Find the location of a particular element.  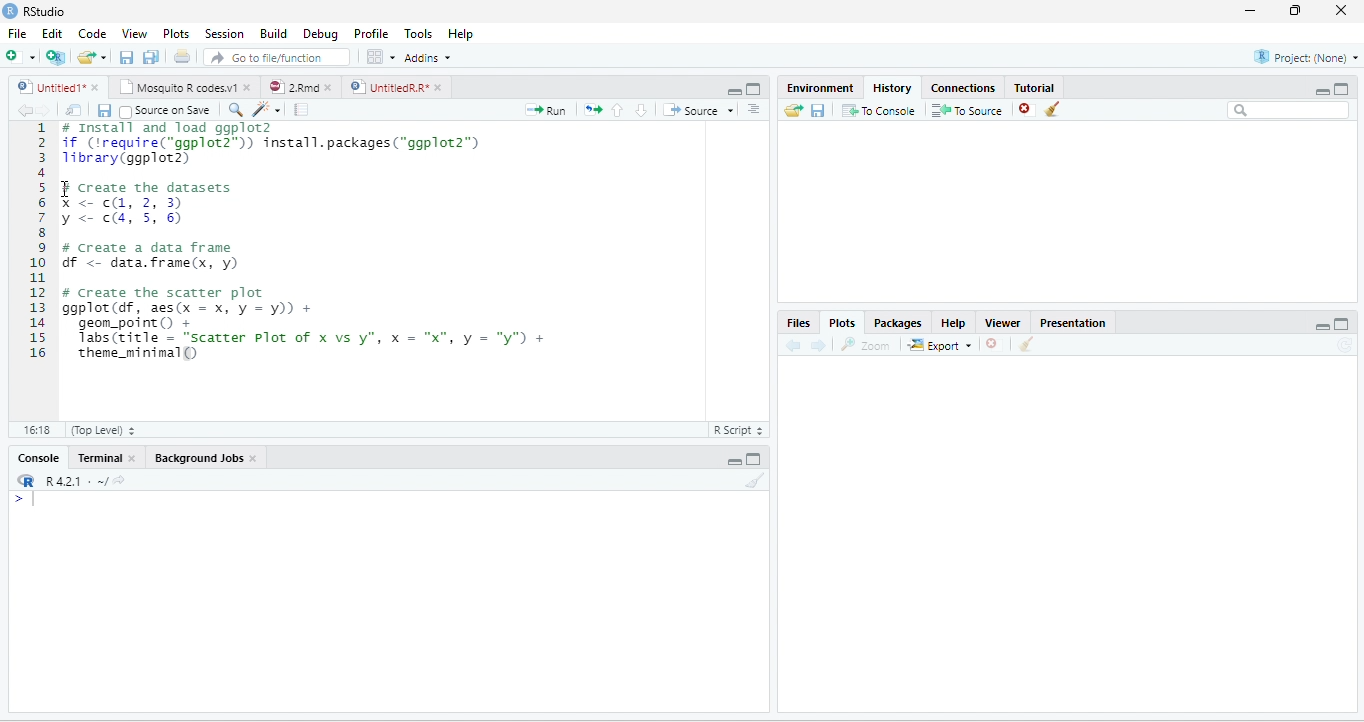

Files is located at coordinates (798, 322).